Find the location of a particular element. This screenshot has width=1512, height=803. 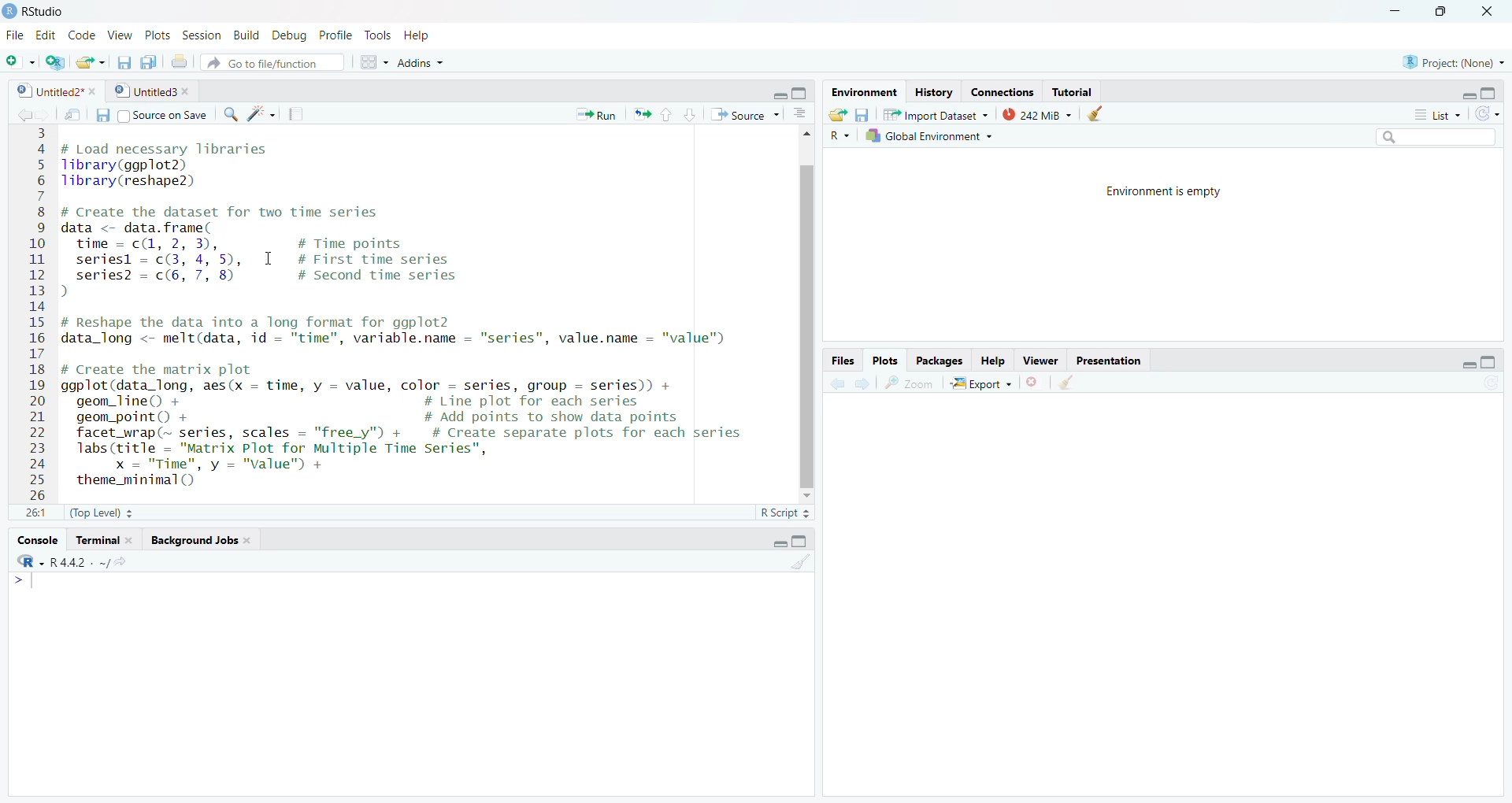

Console is located at coordinates (37, 540).